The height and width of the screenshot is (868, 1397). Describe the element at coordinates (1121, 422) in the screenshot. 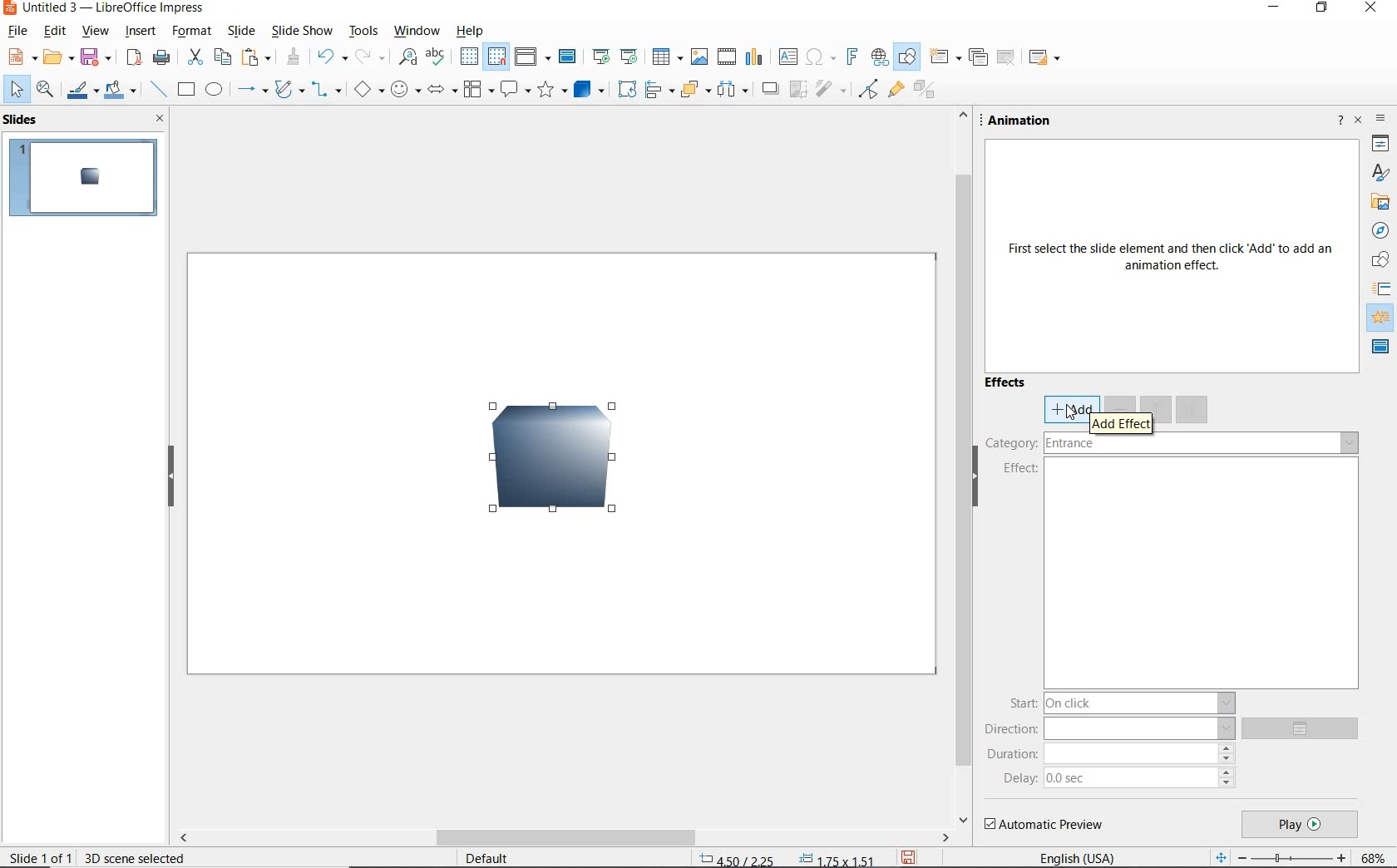

I see `Add Effect` at that location.